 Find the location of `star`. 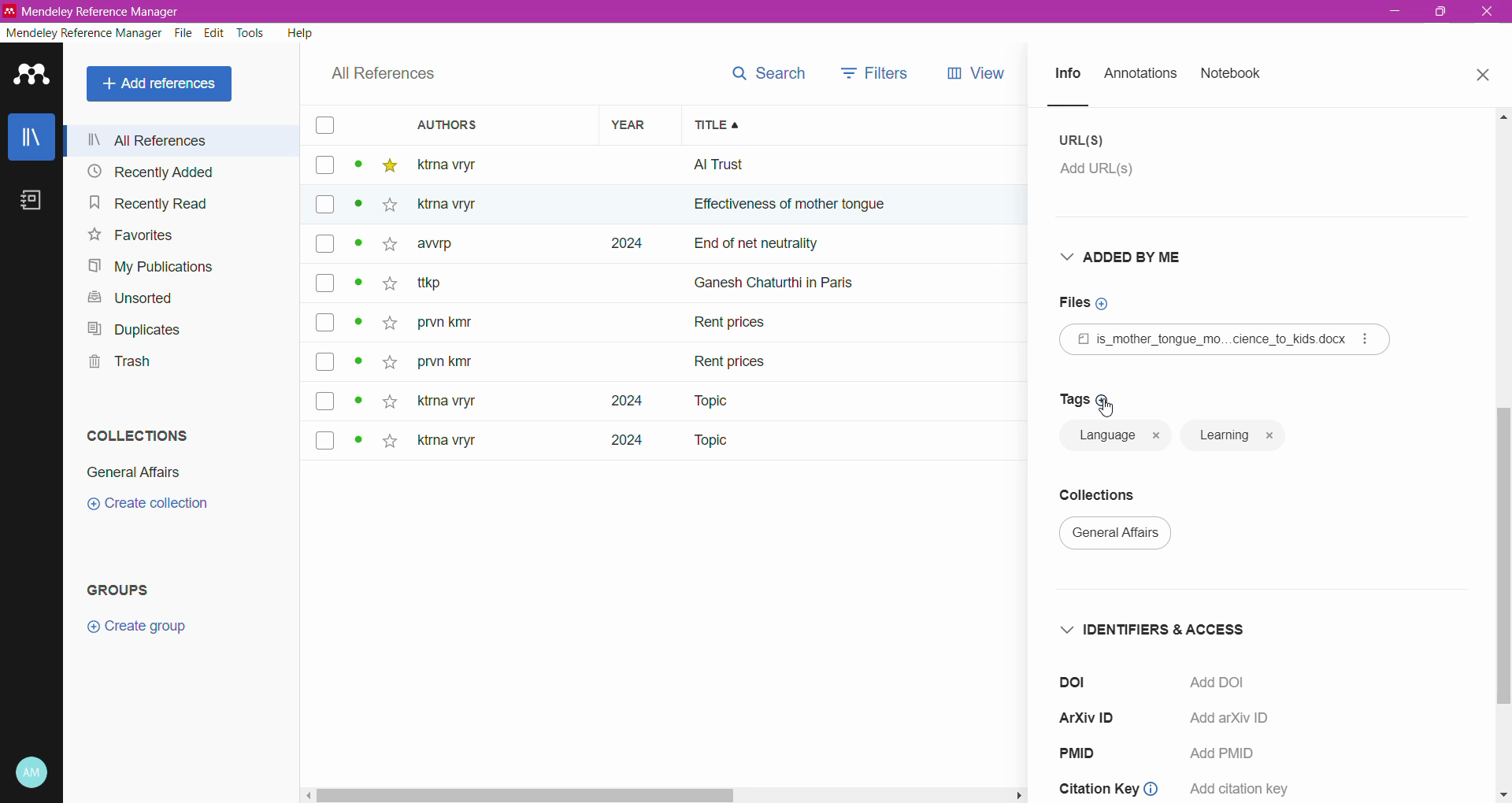

star is located at coordinates (388, 358).